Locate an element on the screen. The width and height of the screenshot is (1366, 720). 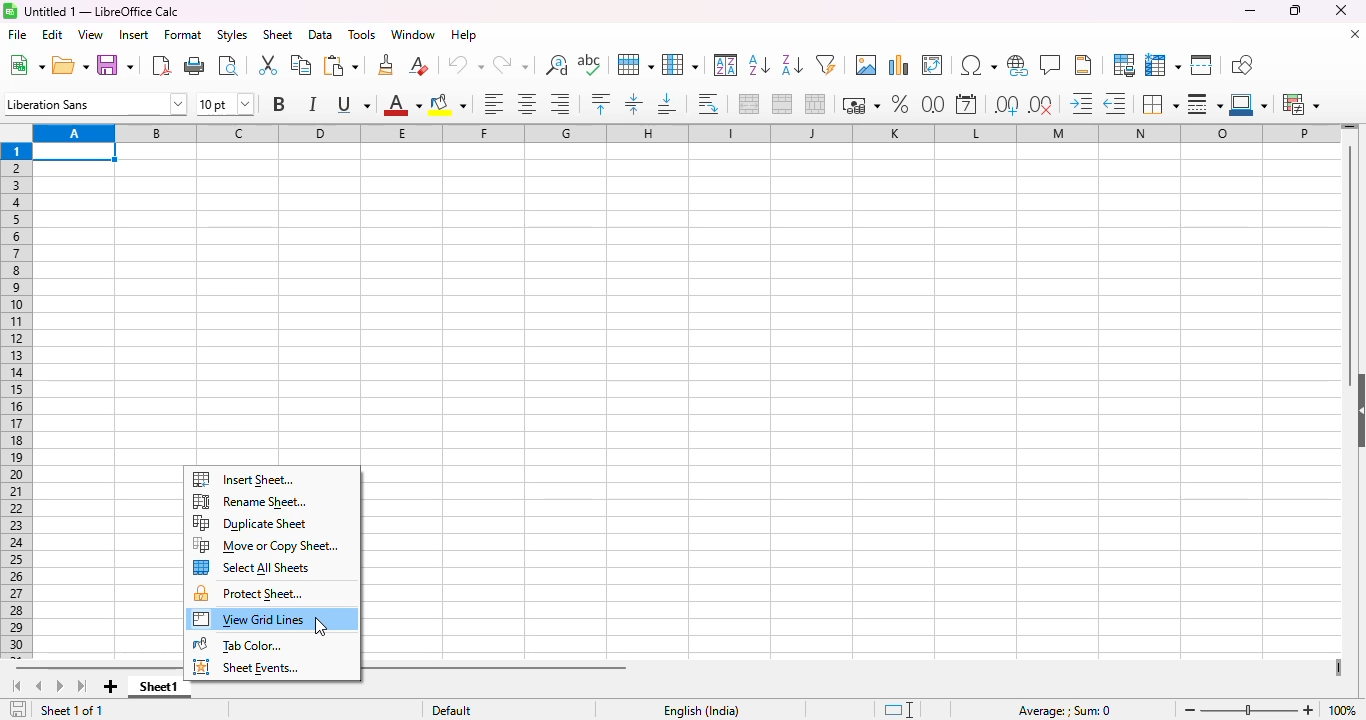
insert comment is located at coordinates (1050, 65).